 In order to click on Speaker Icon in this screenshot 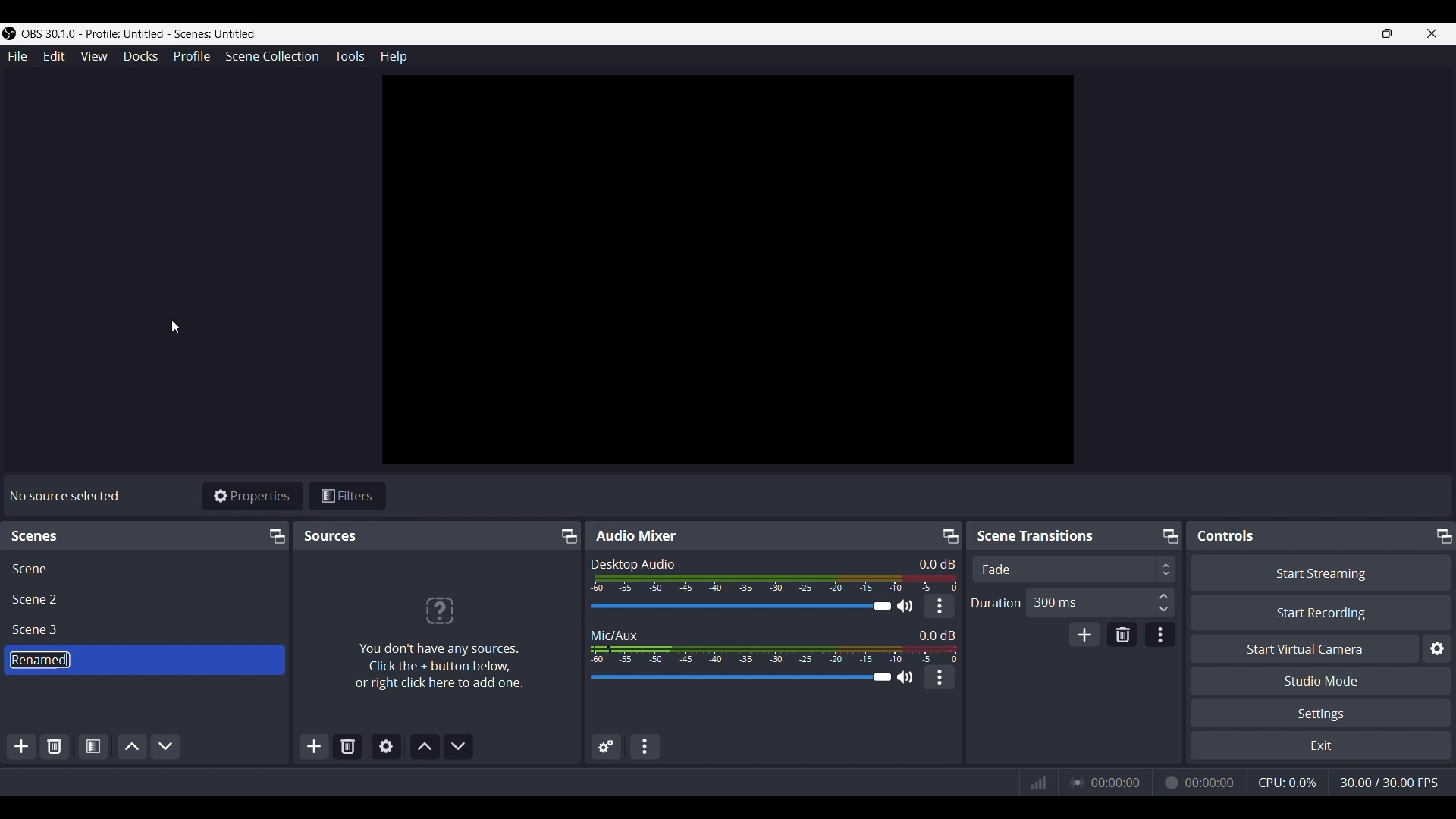, I will do `click(905, 606)`.